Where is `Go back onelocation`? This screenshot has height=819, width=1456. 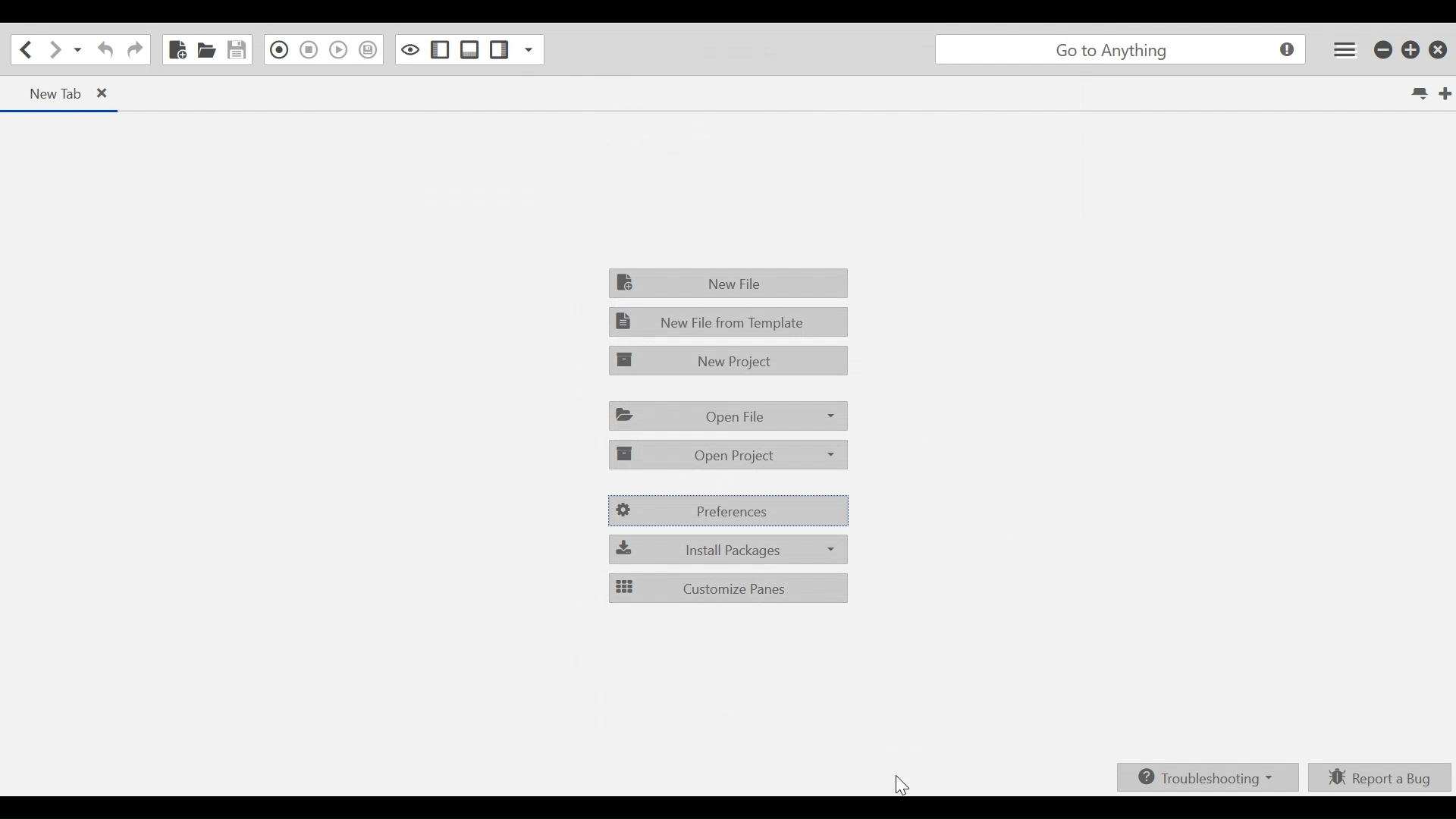 Go back onelocation is located at coordinates (24, 49).